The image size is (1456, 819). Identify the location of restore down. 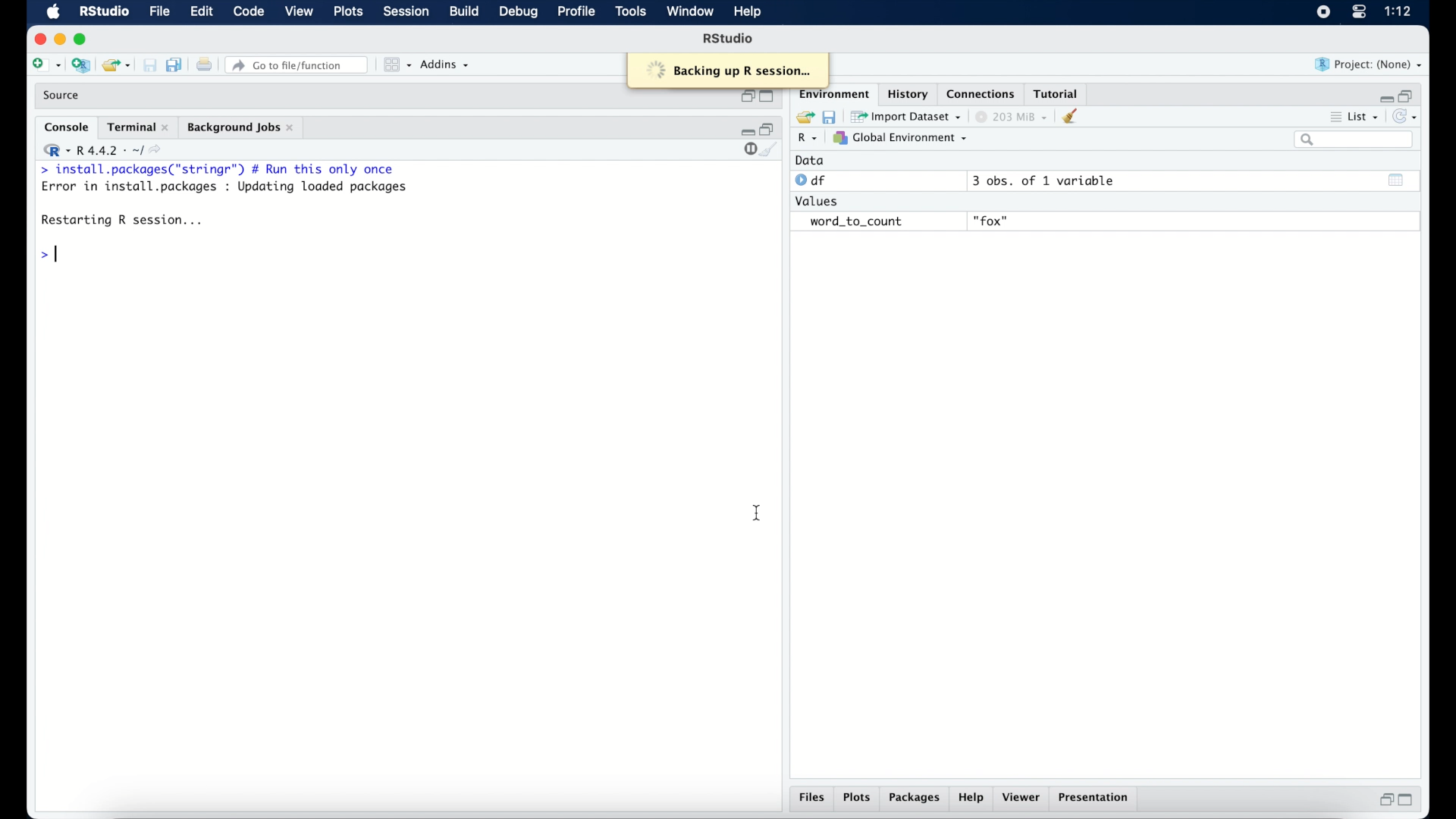
(746, 99).